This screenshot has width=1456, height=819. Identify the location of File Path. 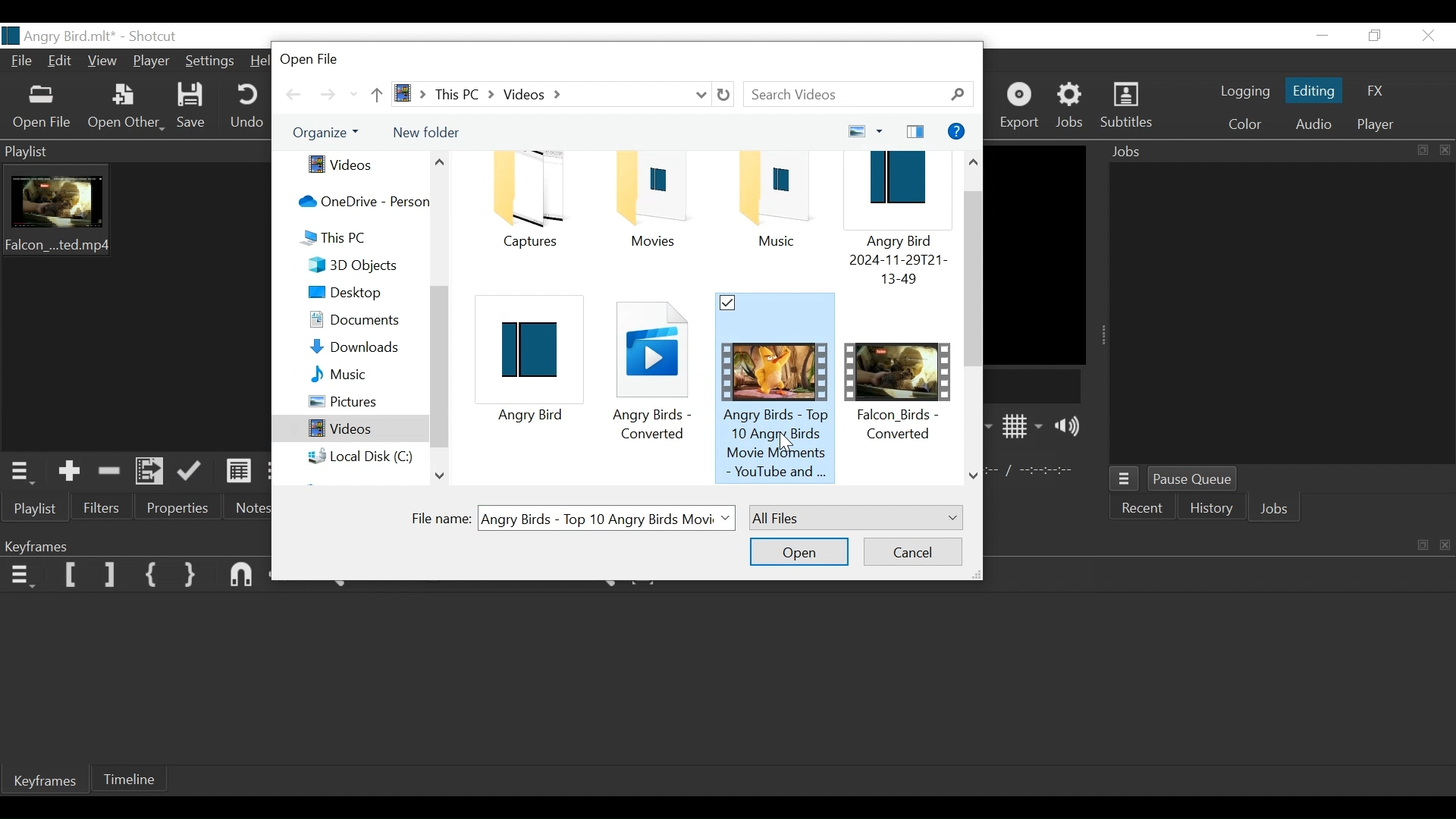
(551, 94).